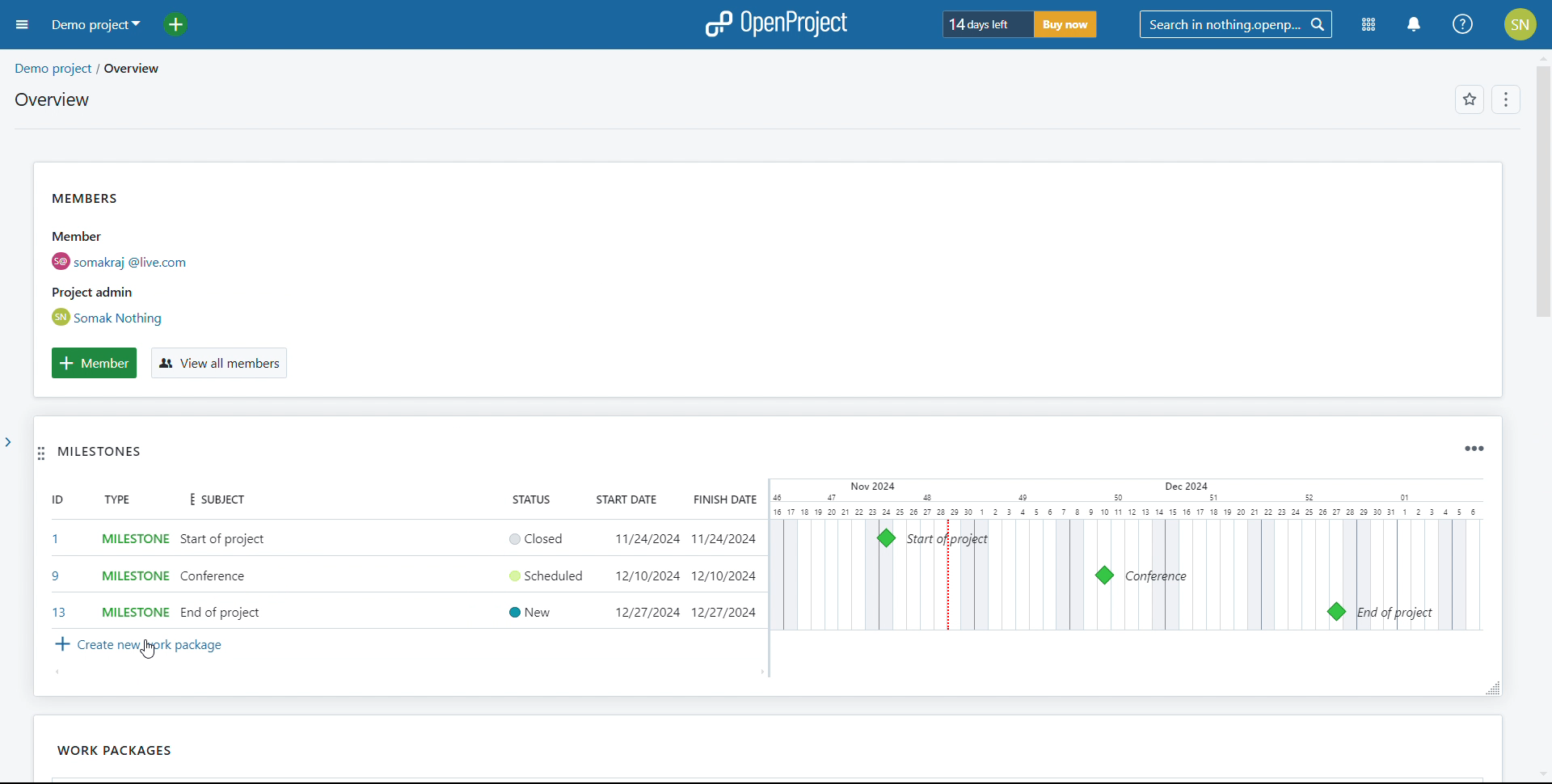  What do you see at coordinates (23, 25) in the screenshot?
I see `open sidebar menu` at bounding box center [23, 25].